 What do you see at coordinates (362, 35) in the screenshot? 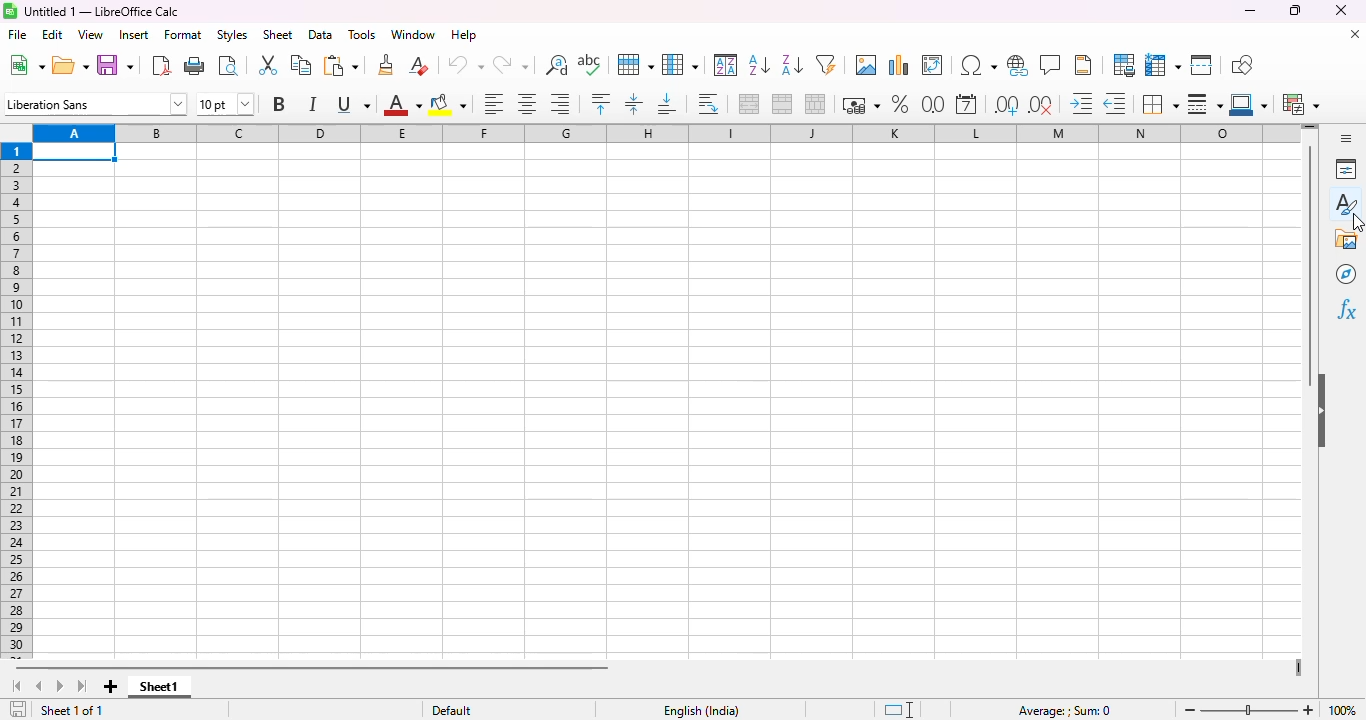
I see `tools` at bounding box center [362, 35].